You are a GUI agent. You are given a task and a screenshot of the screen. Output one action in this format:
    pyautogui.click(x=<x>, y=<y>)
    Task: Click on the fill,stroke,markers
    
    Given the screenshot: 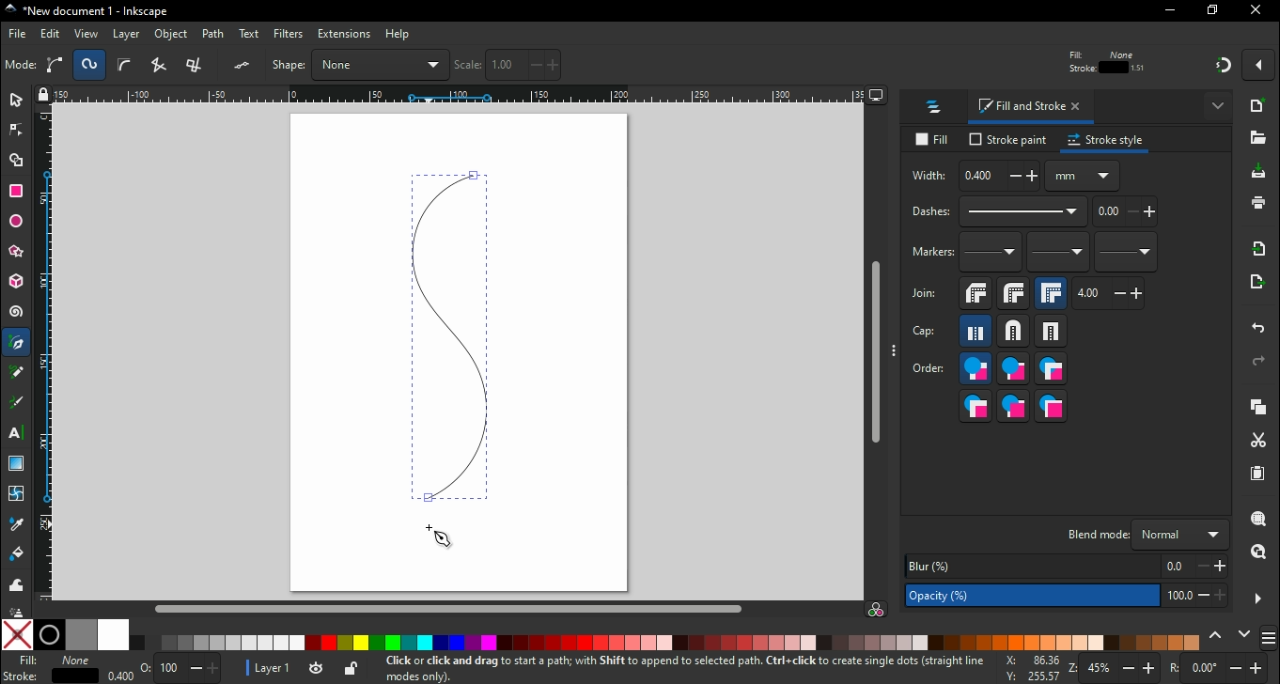 What is the action you would take?
    pyautogui.click(x=975, y=371)
    